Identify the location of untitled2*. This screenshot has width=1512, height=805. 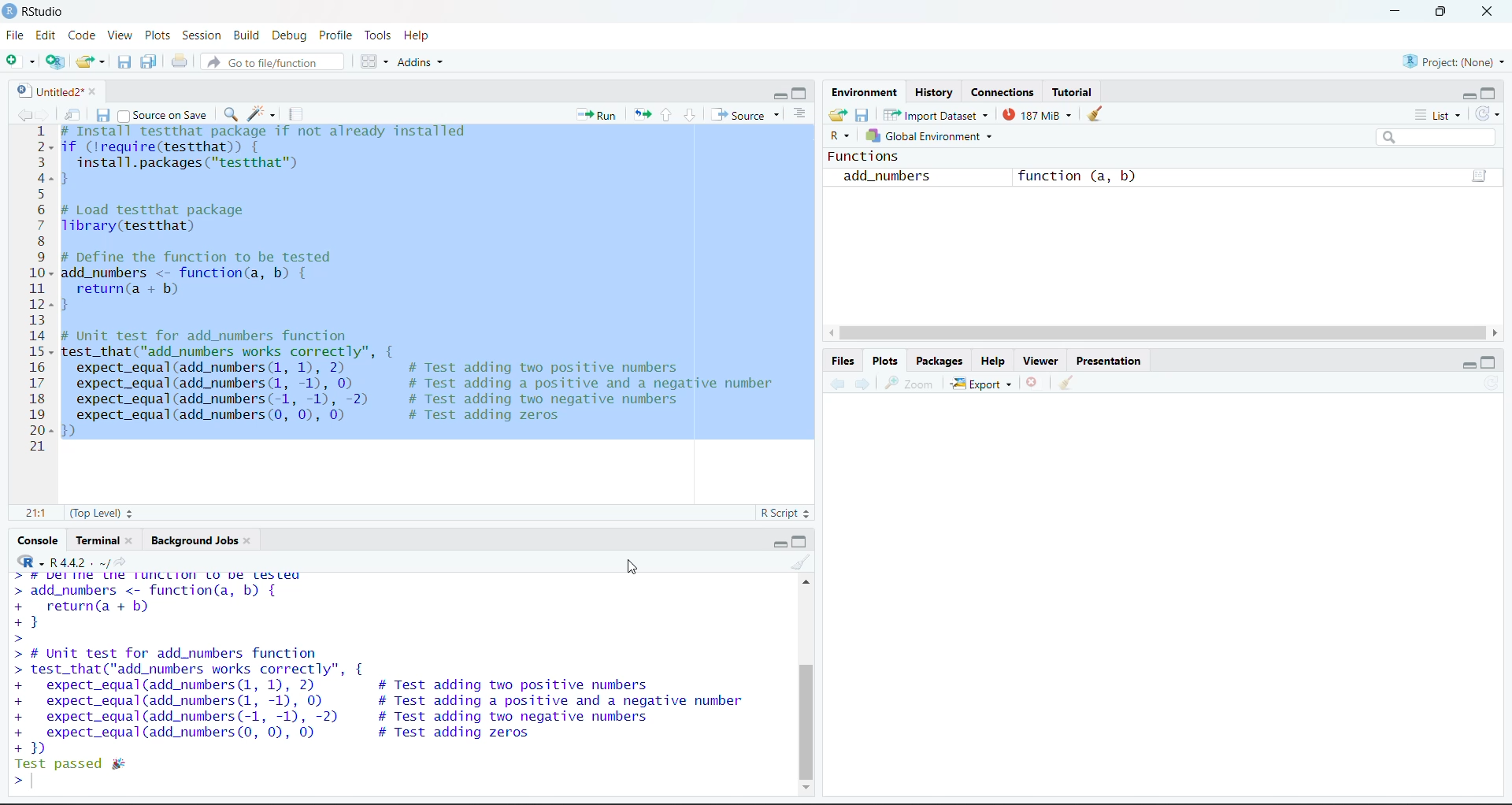
(47, 91).